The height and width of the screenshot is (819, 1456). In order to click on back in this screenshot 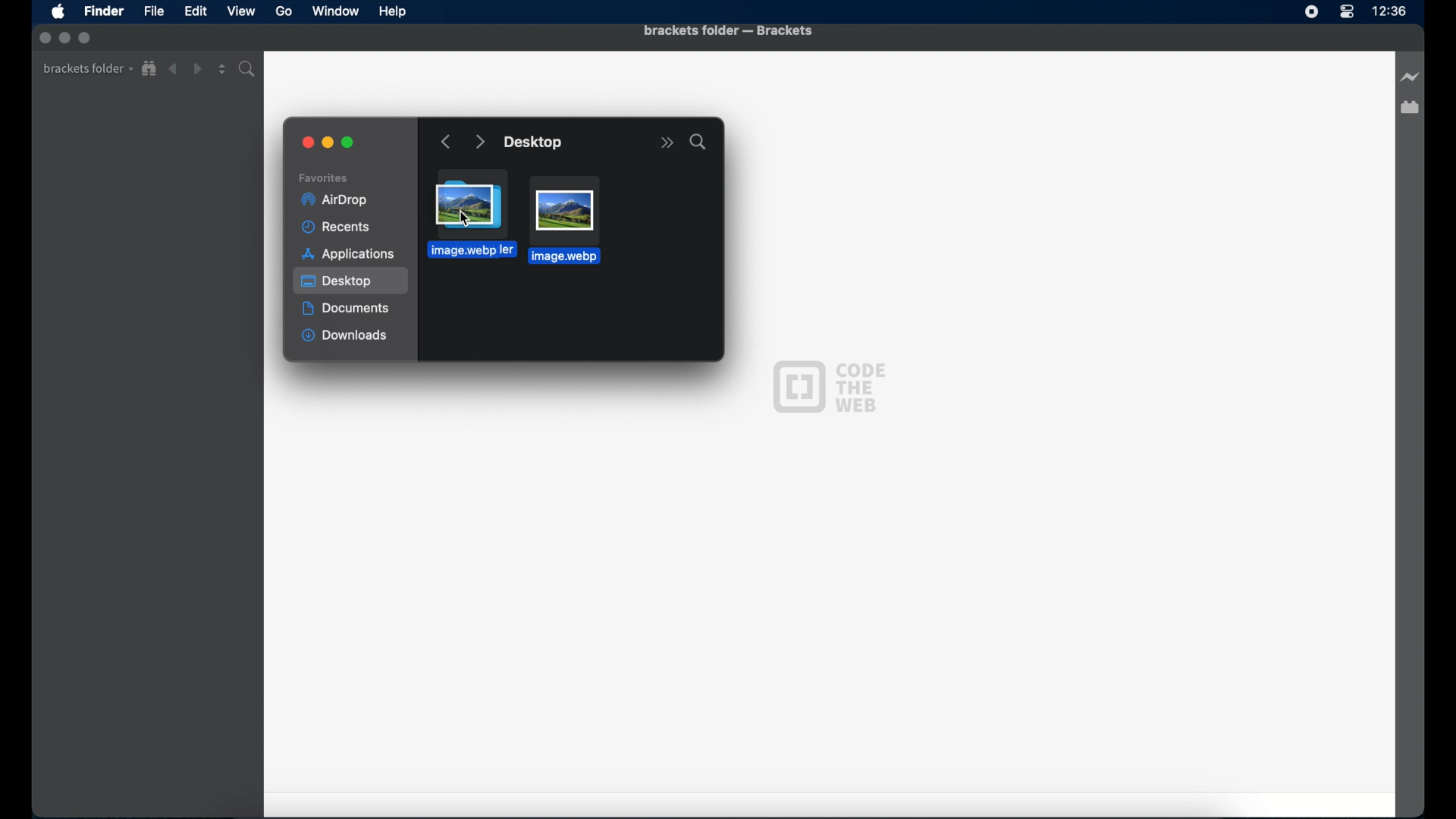, I will do `click(173, 69)`.